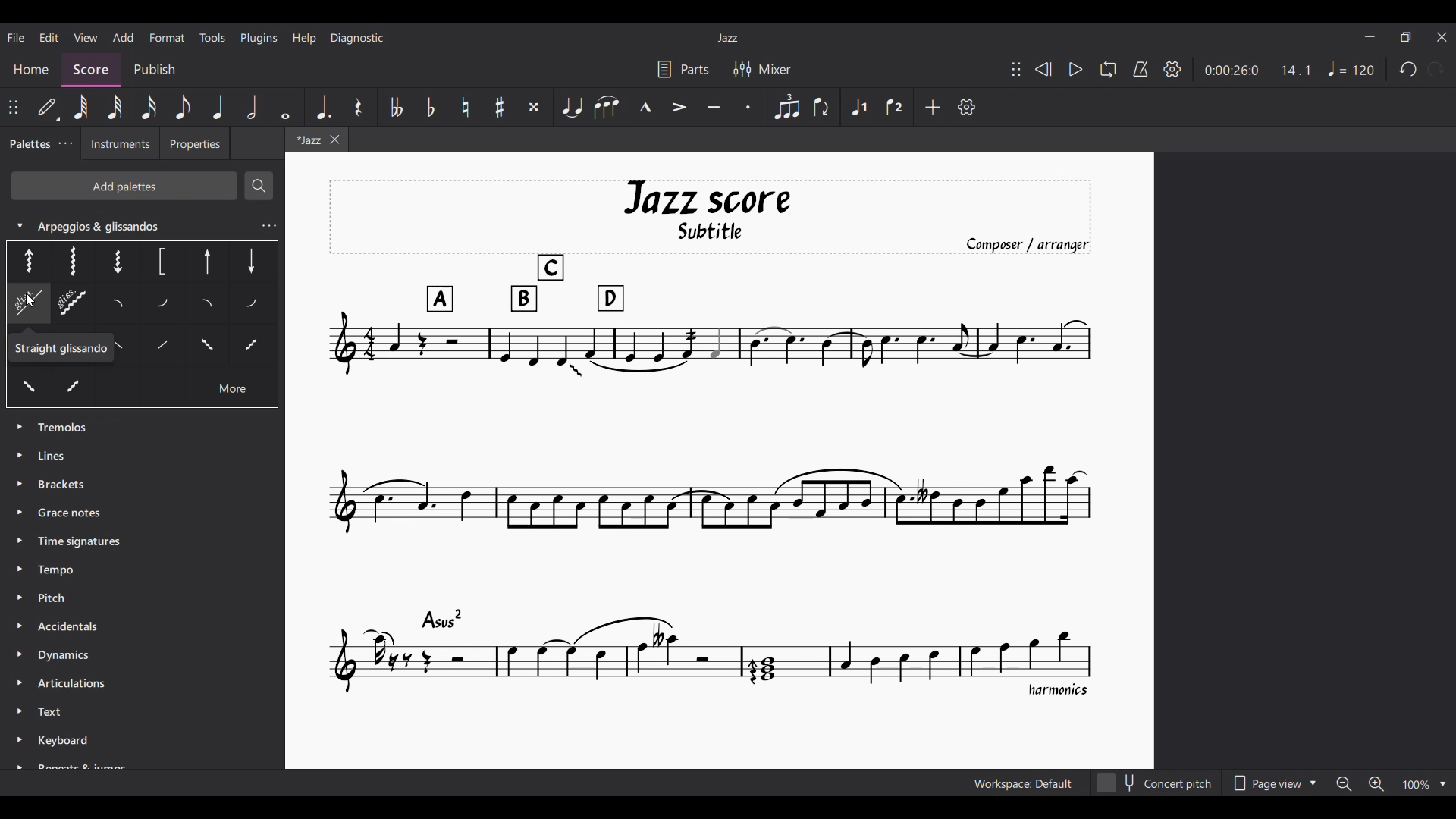 Image resolution: width=1456 pixels, height=819 pixels. What do you see at coordinates (28, 388) in the screenshot?
I see `Palate 18` at bounding box center [28, 388].